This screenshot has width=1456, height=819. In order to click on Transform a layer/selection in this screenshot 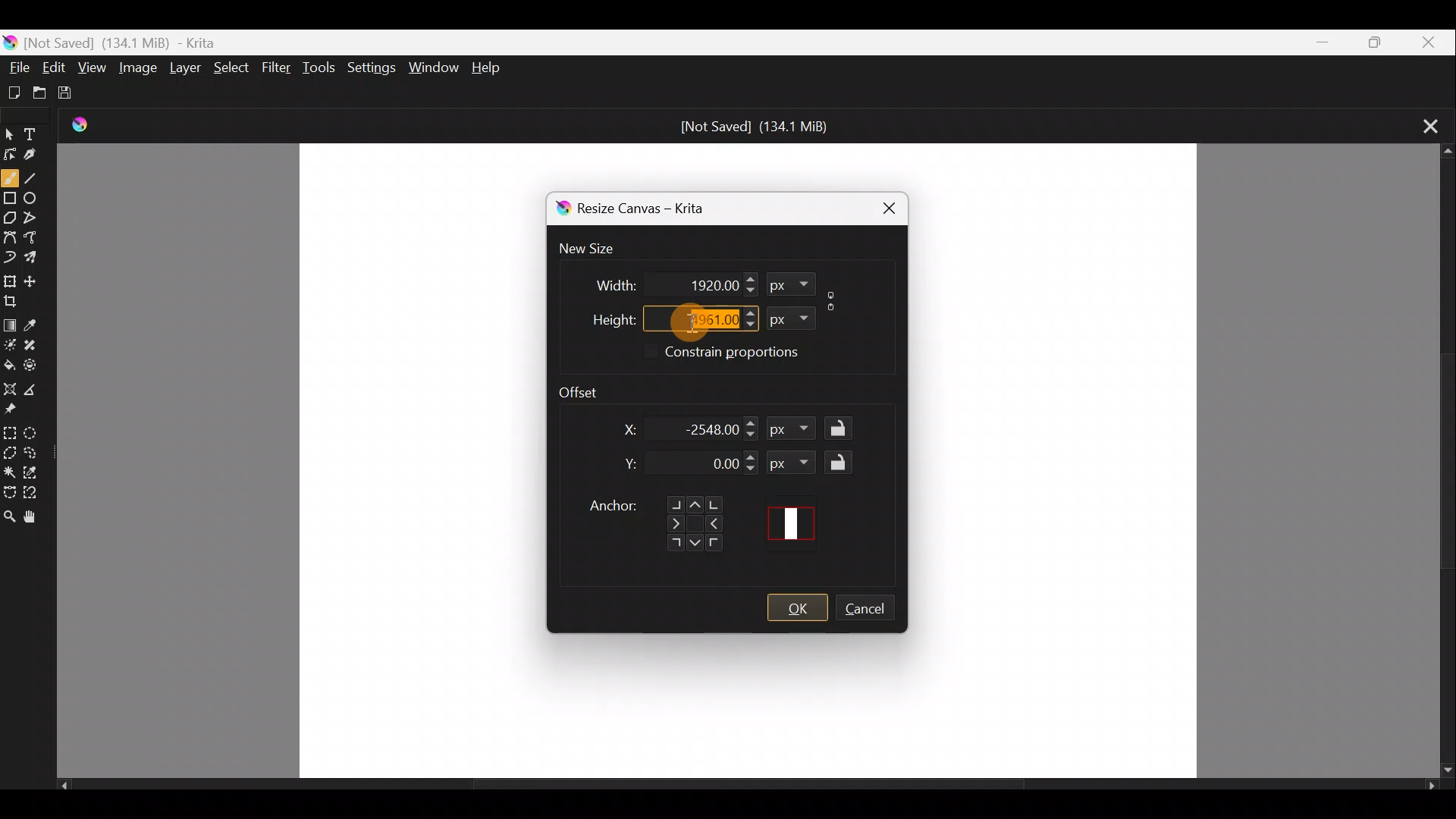, I will do `click(10, 281)`.